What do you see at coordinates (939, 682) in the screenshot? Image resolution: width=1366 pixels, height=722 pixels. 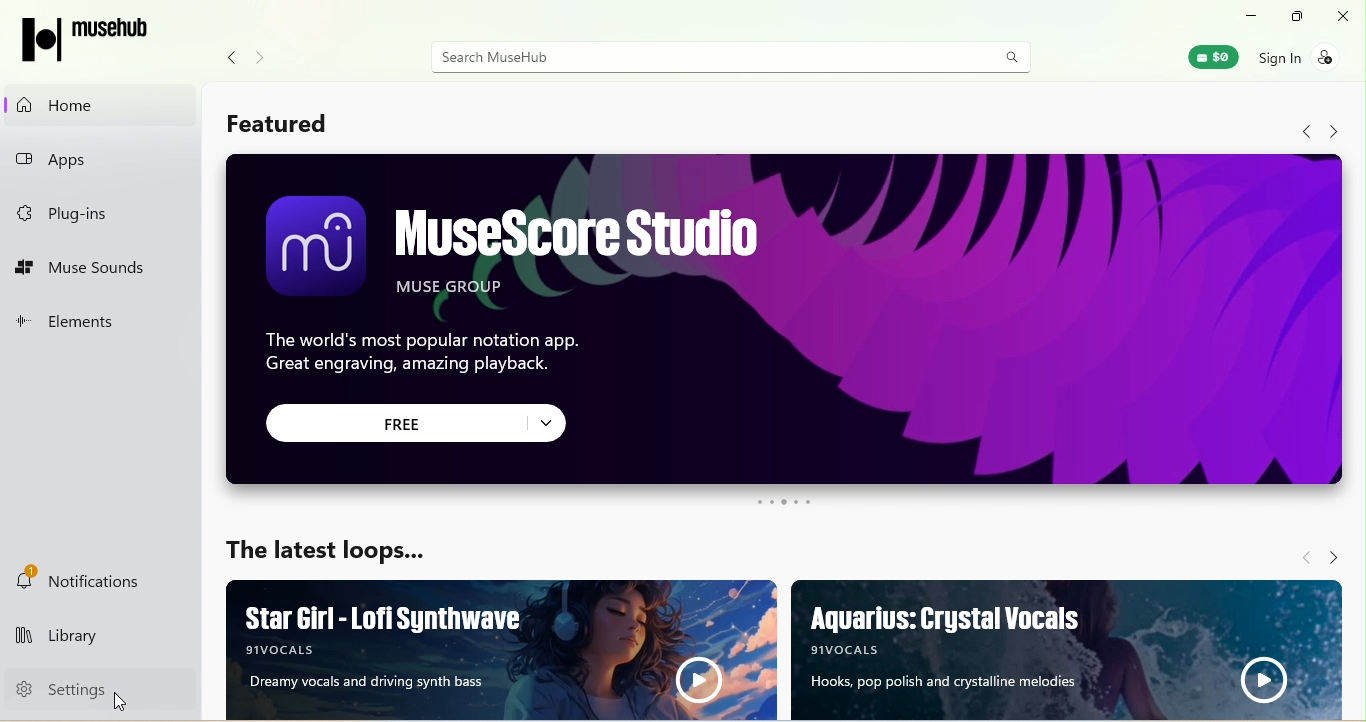 I see `Hooks, pop polish and crystalline melodies` at bounding box center [939, 682].